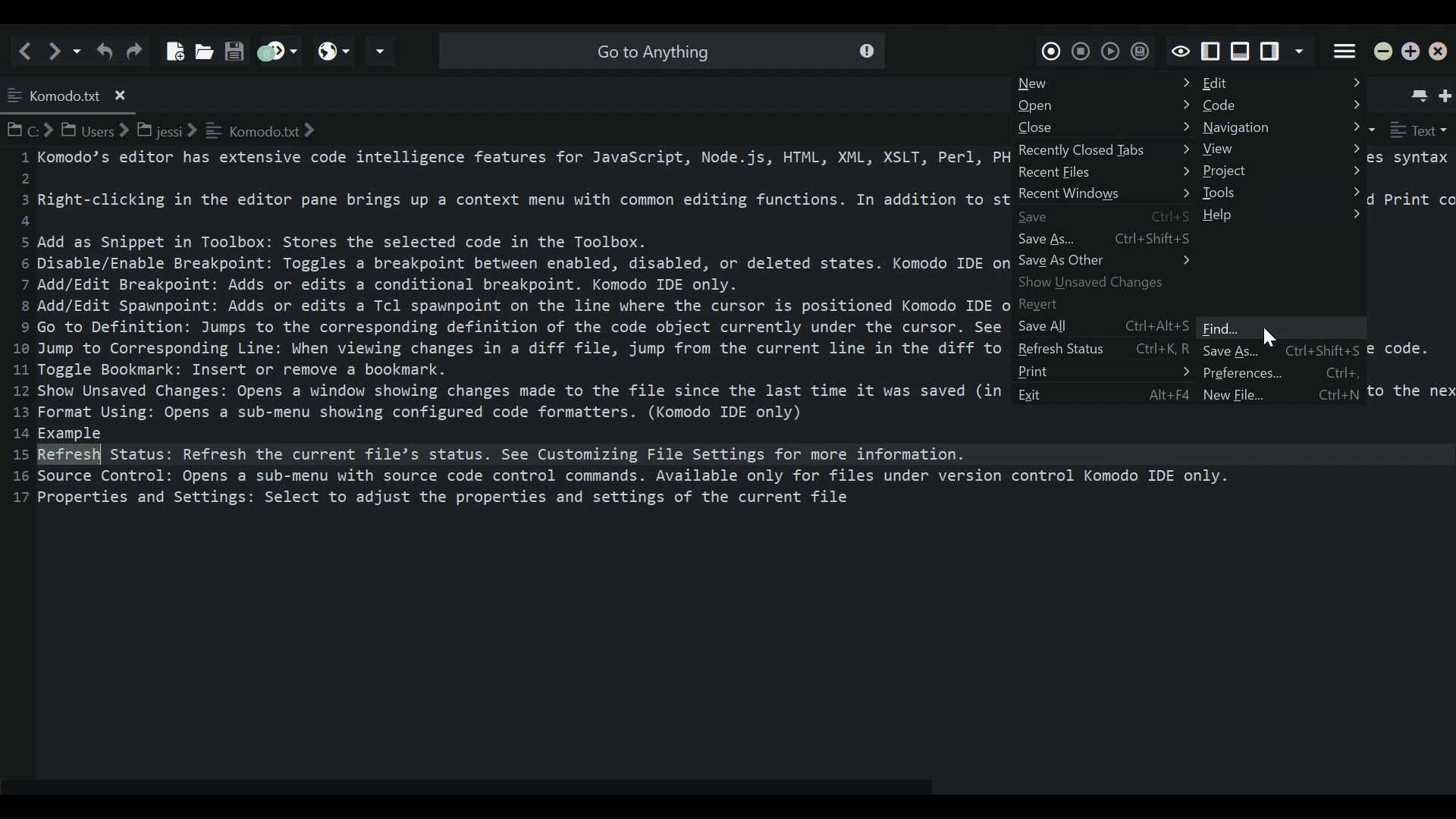  What do you see at coordinates (1106, 261) in the screenshot?
I see `Save As other` at bounding box center [1106, 261].